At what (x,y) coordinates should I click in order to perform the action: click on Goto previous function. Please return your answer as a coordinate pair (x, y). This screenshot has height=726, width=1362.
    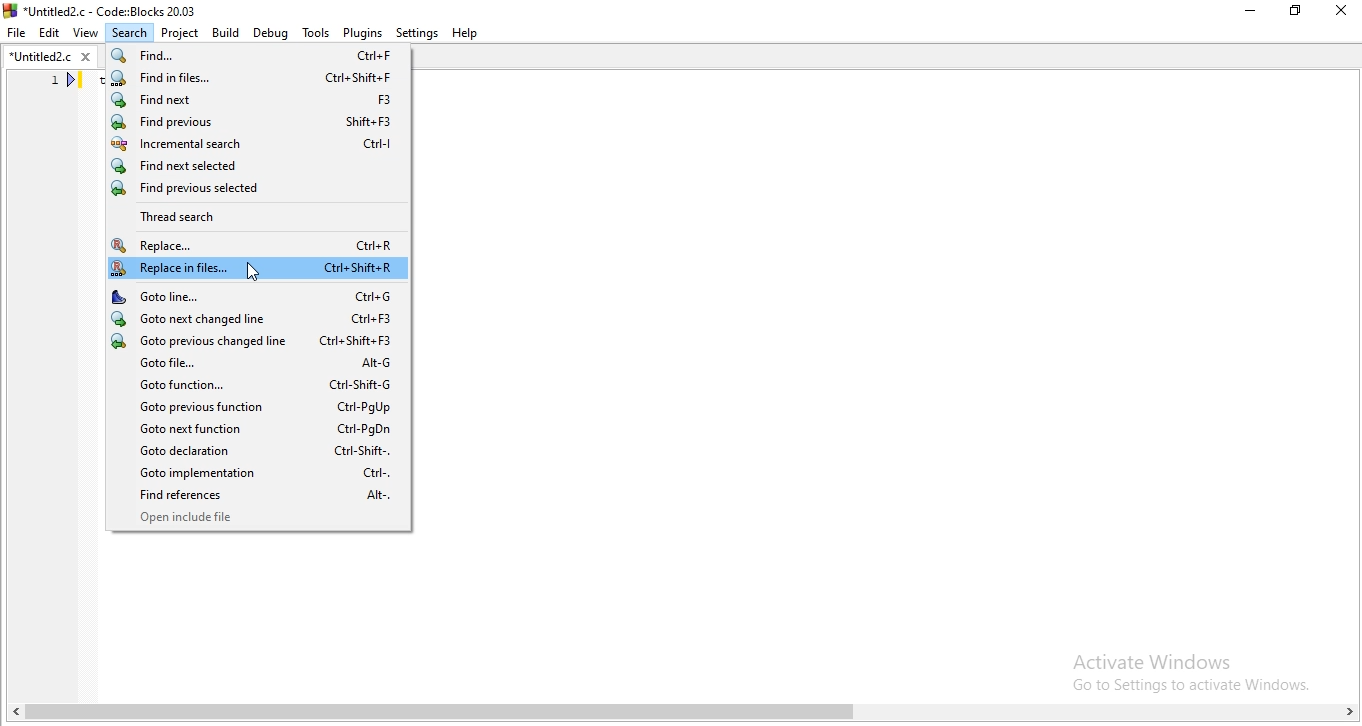
    Looking at the image, I should click on (260, 406).